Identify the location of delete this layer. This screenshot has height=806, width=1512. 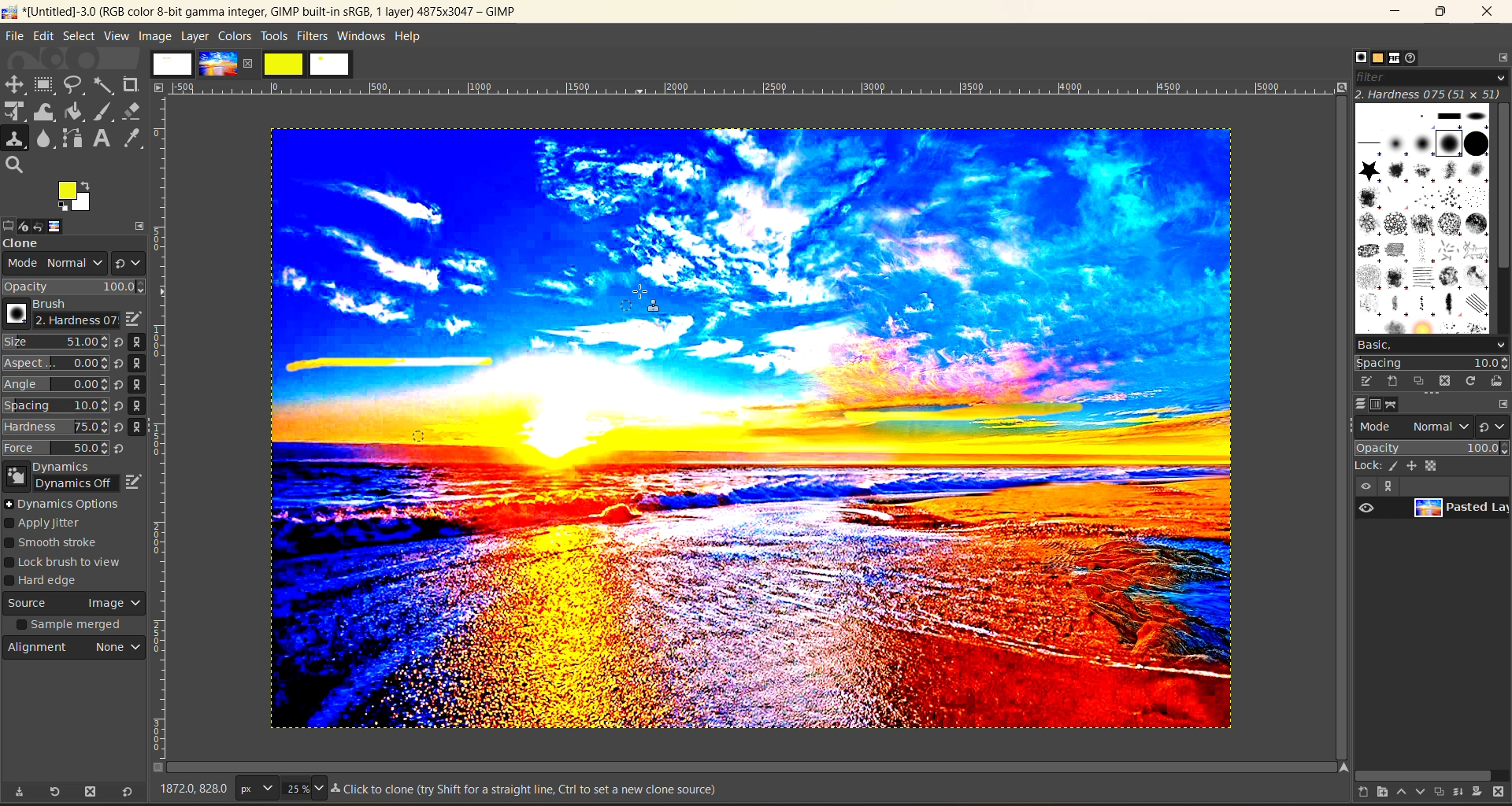
(1503, 793).